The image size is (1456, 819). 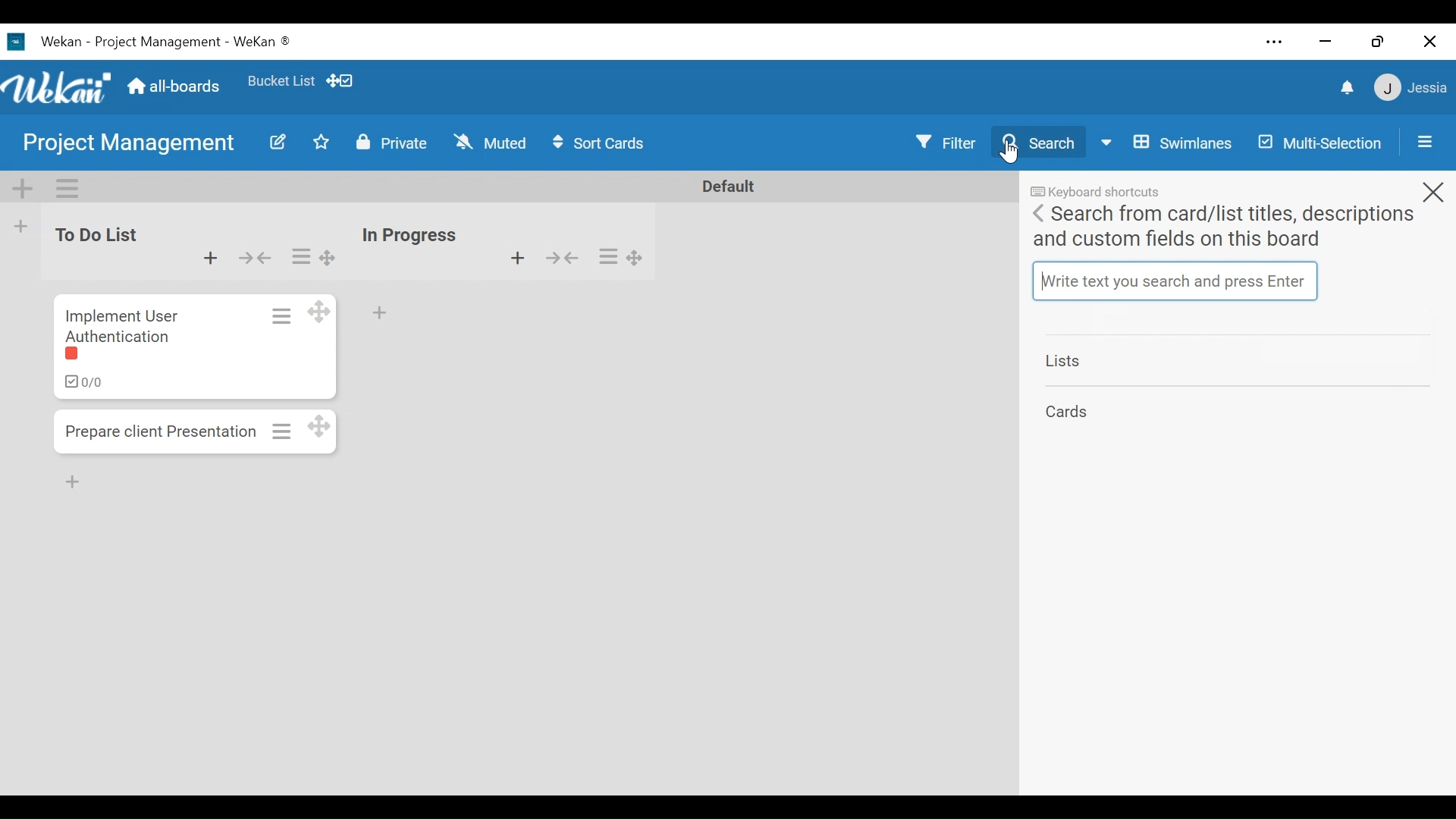 What do you see at coordinates (1040, 142) in the screenshot?
I see `Search` at bounding box center [1040, 142].